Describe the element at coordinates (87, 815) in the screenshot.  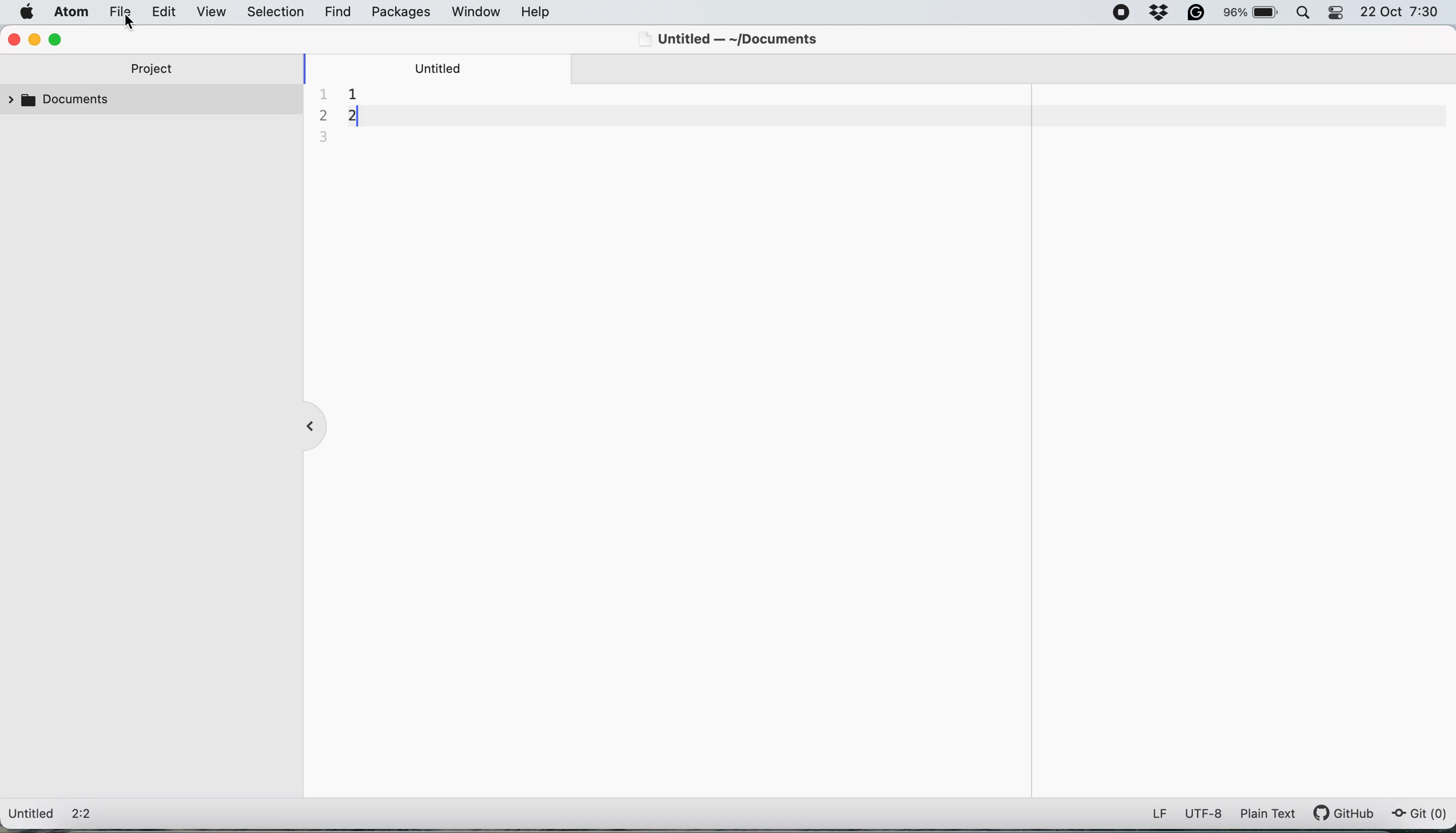
I see `2:2` at that location.